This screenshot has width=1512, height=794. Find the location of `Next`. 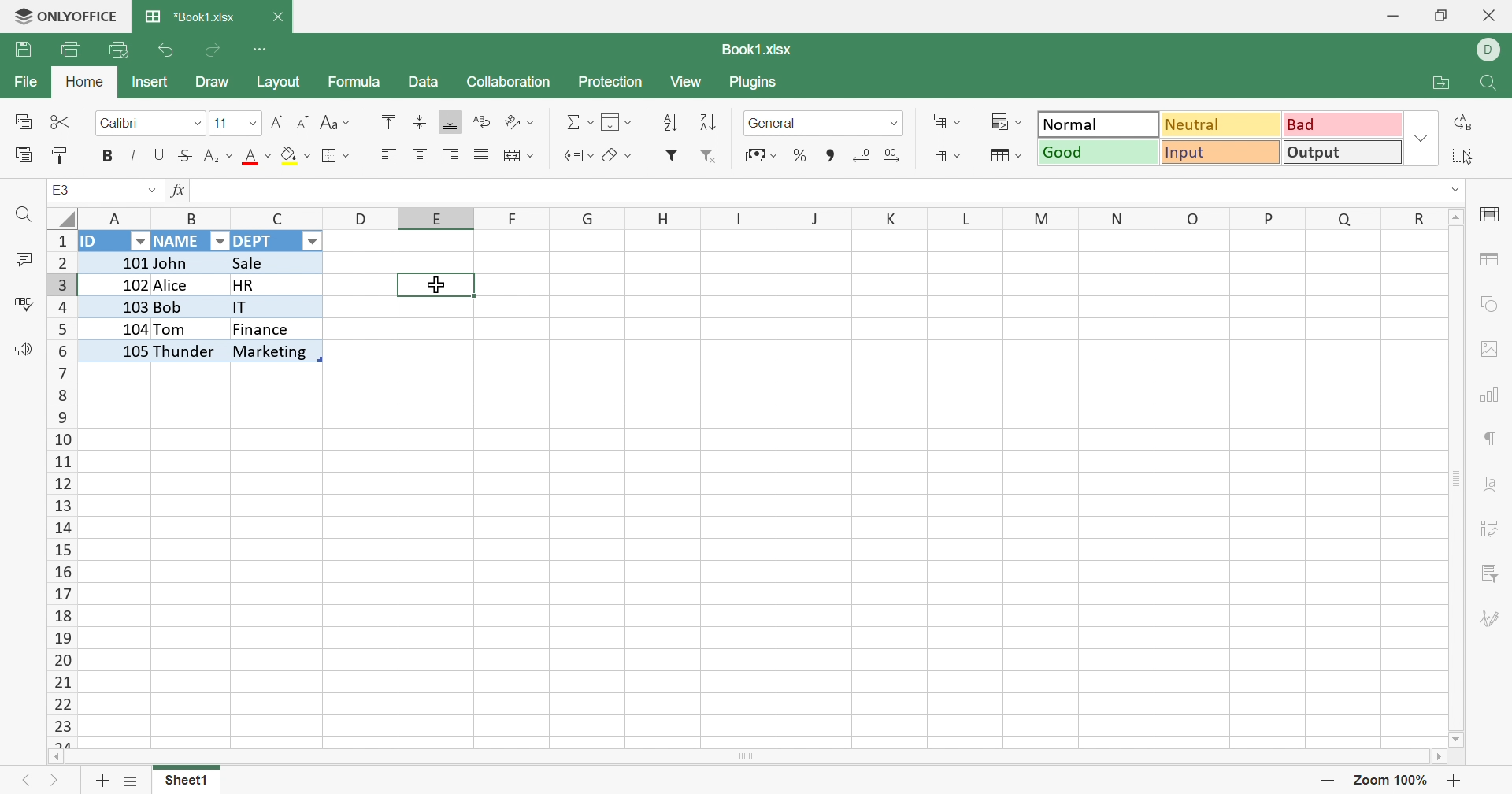

Next is located at coordinates (55, 781).